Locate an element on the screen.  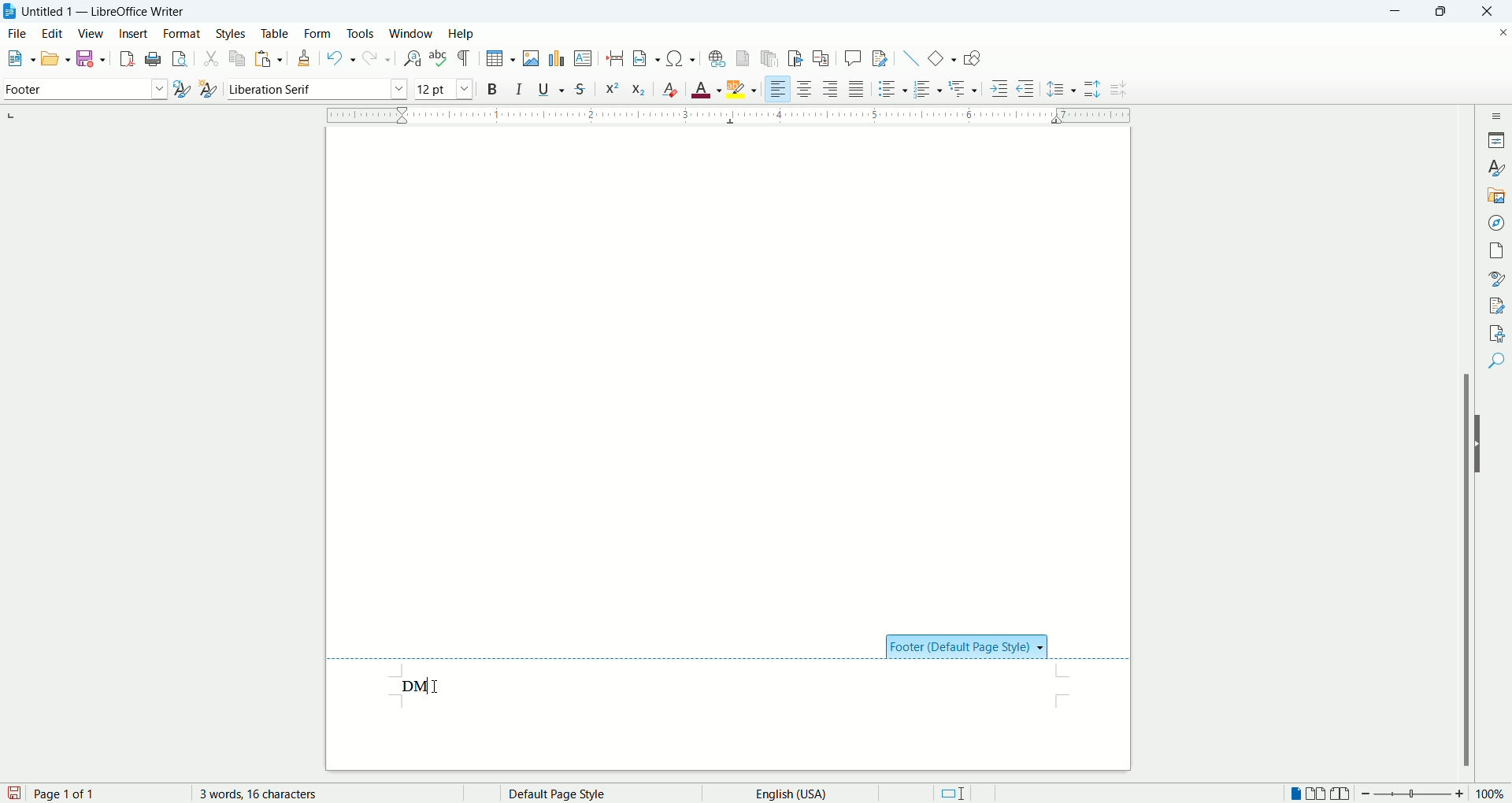
styles is located at coordinates (1498, 168).